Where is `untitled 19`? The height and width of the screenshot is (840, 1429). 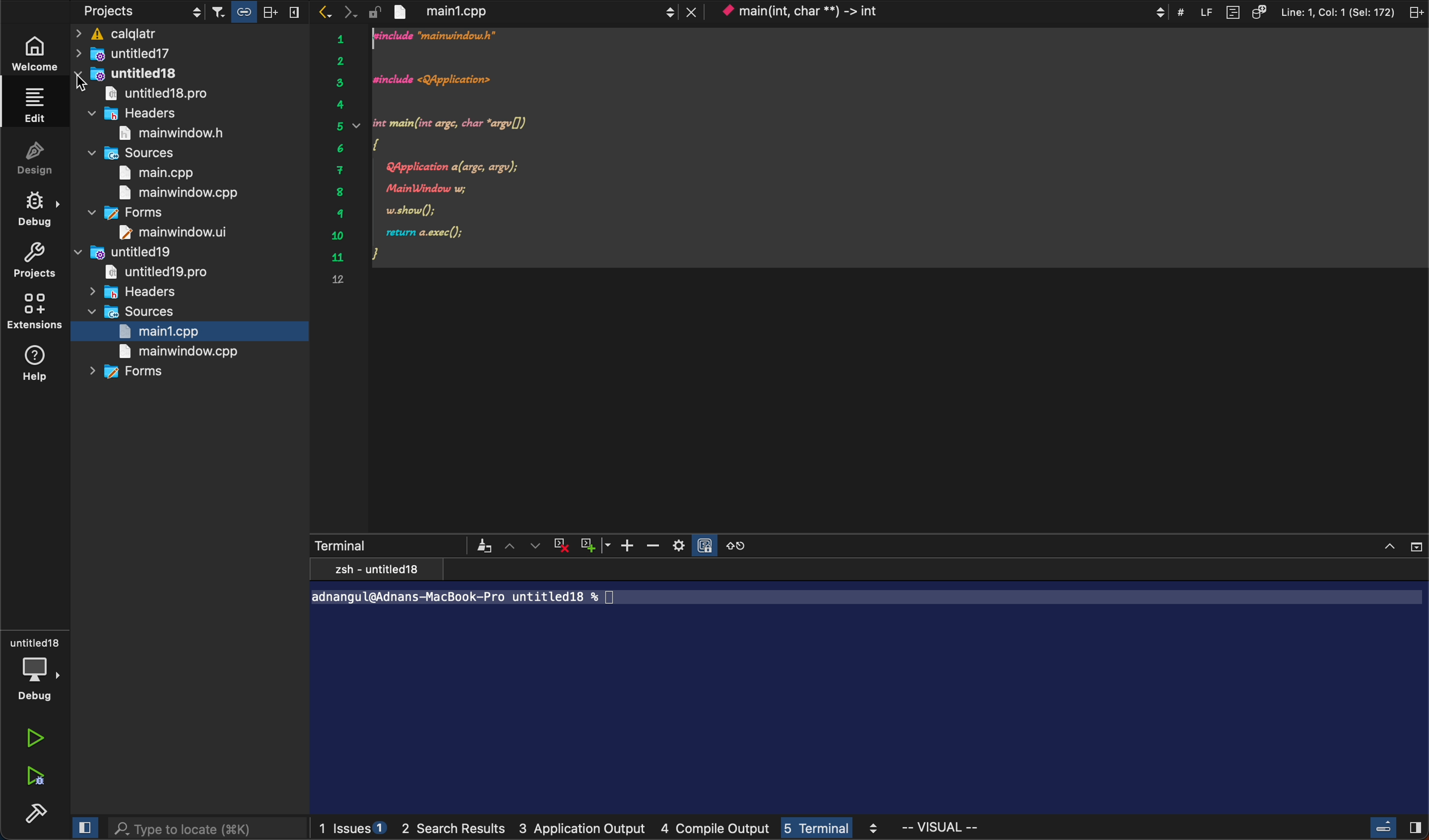 untitled 19 is located at coordinates (127, 252).